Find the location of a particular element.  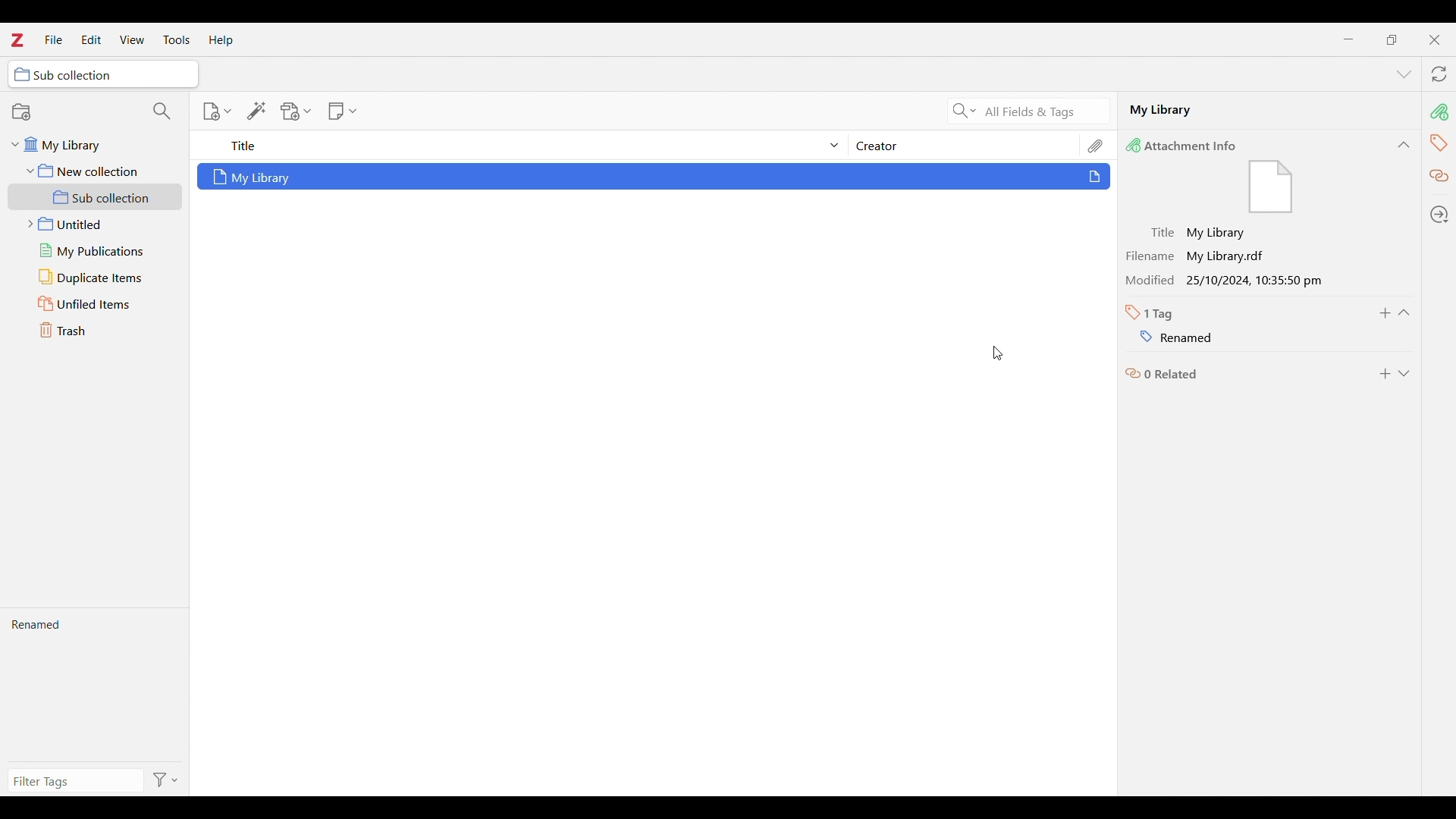

Selected folder is located at coordinates (103, 74).